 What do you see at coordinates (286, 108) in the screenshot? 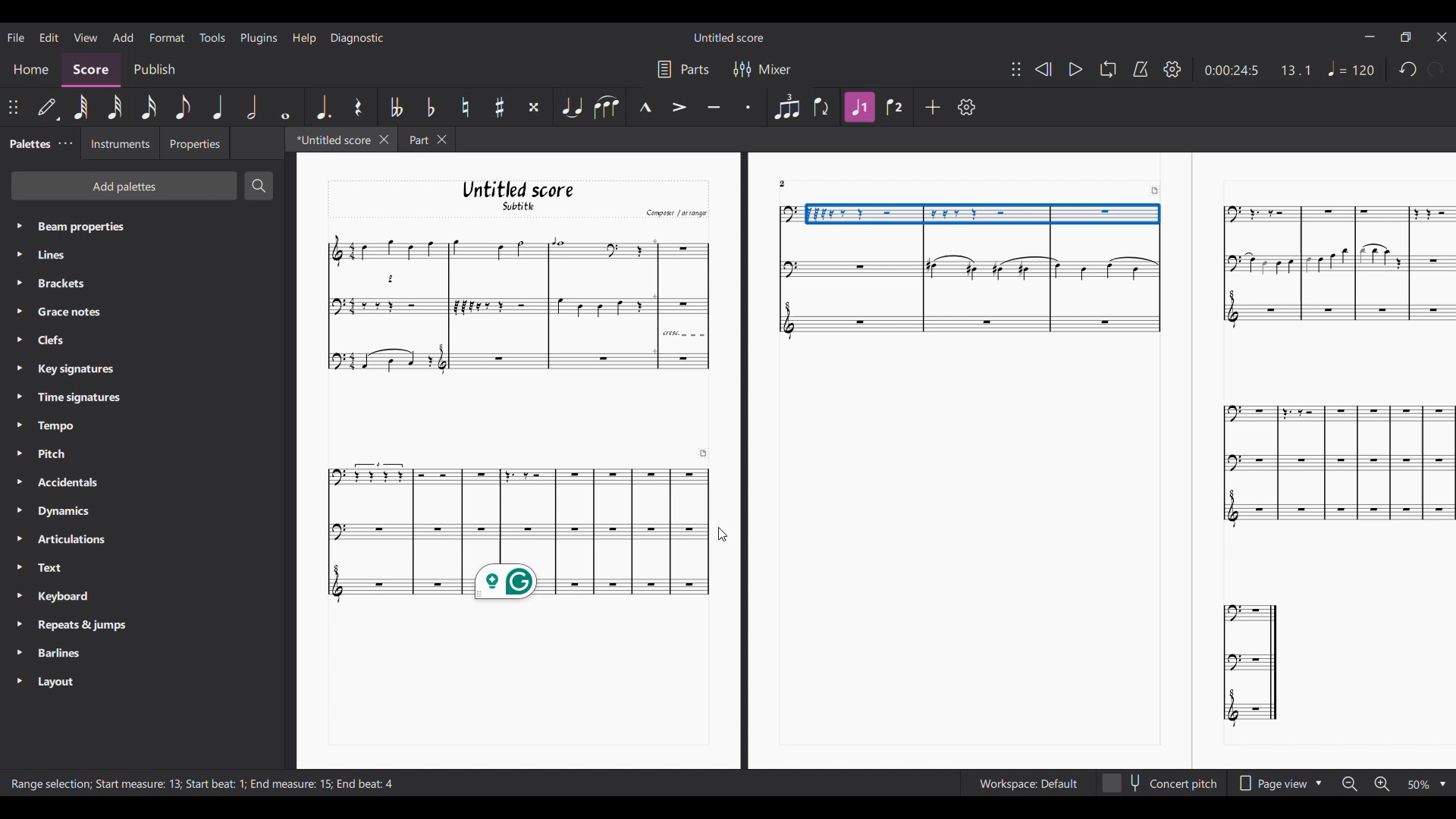
I see `Whole note` at bounding box center [286, 108].